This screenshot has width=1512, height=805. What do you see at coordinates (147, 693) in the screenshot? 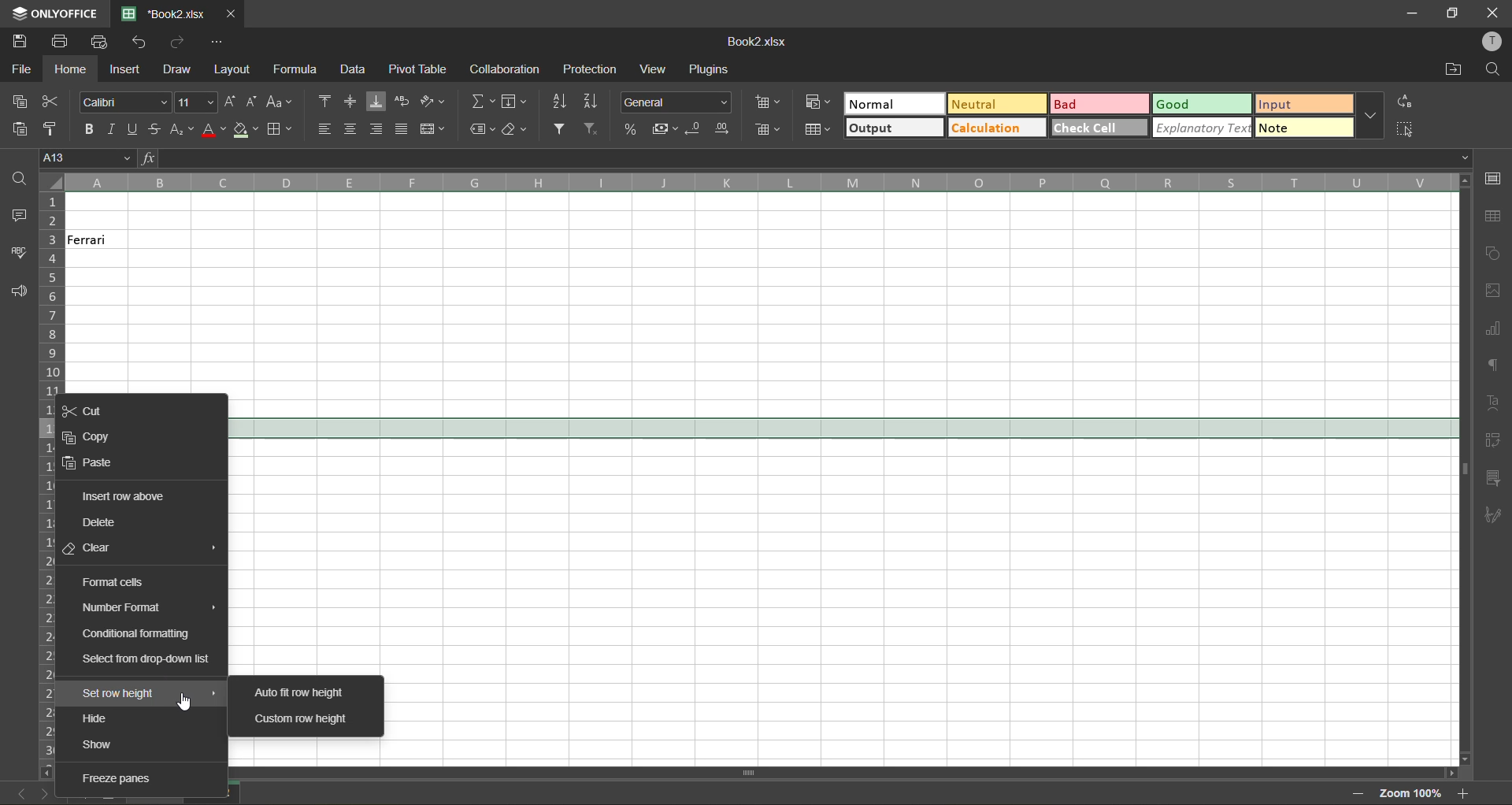
I see `set row height` at bounding box center [147, 693].